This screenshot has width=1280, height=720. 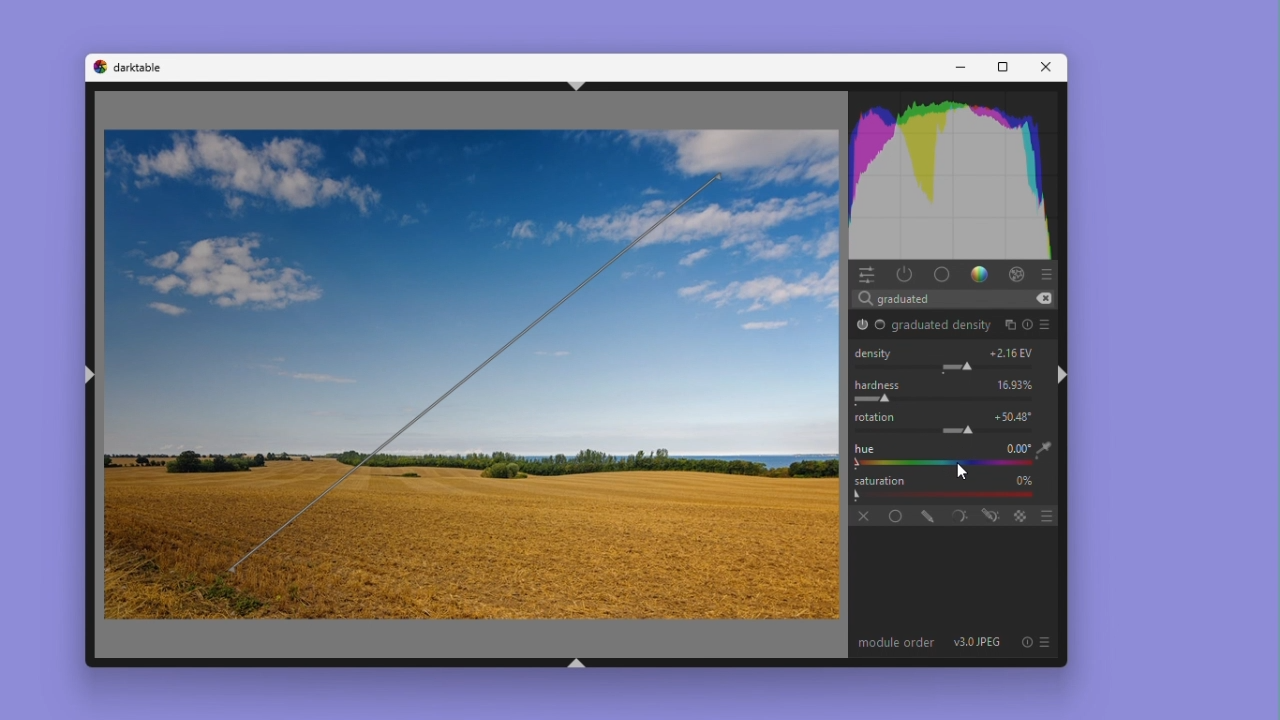 What do you see at coordinates (1013, 352) in the screenshot?
I see `+1.00 EV` at bounding box center [1013, 352].